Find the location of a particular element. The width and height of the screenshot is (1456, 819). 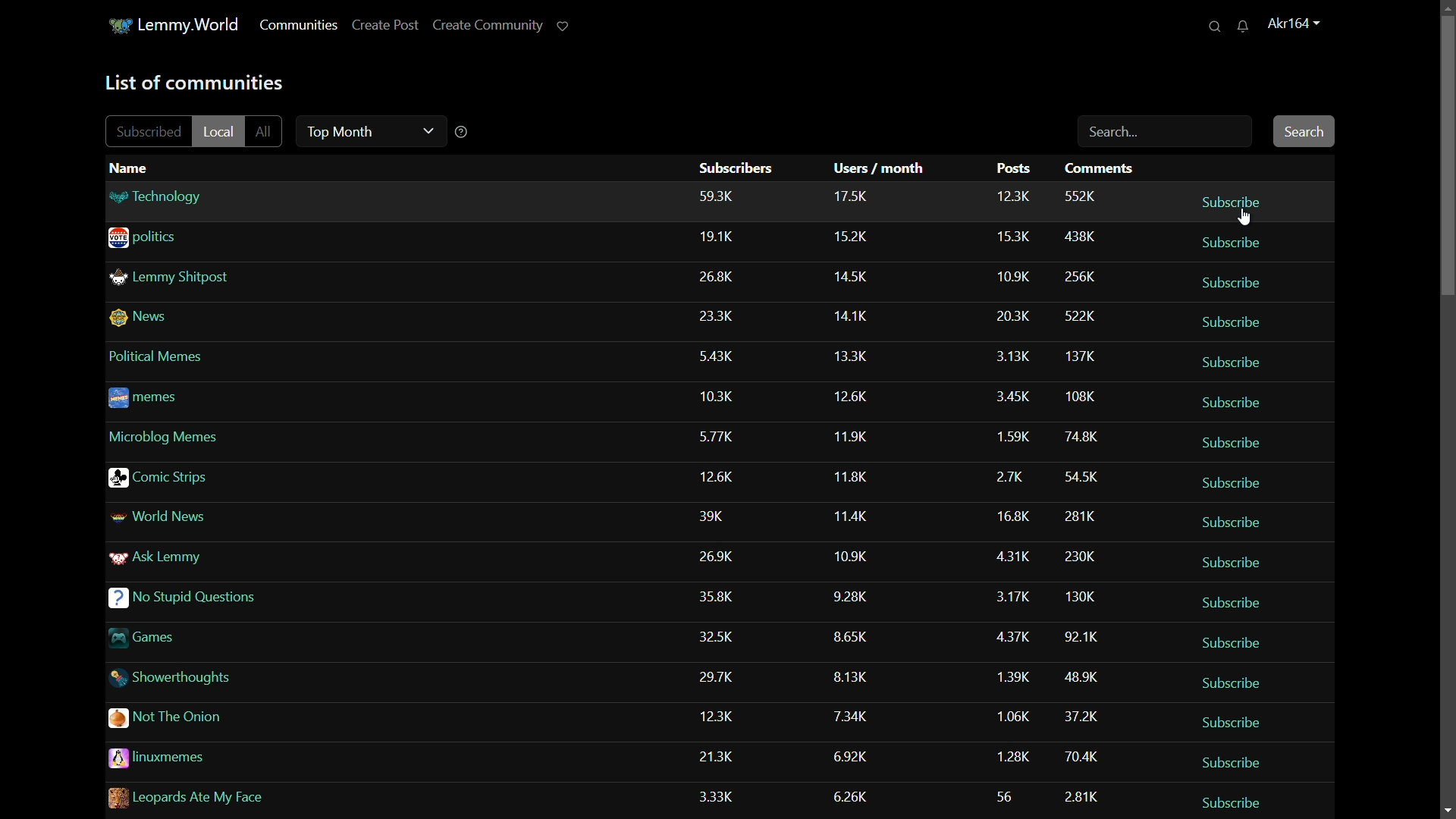

 is located at coordinates (1012, 316).